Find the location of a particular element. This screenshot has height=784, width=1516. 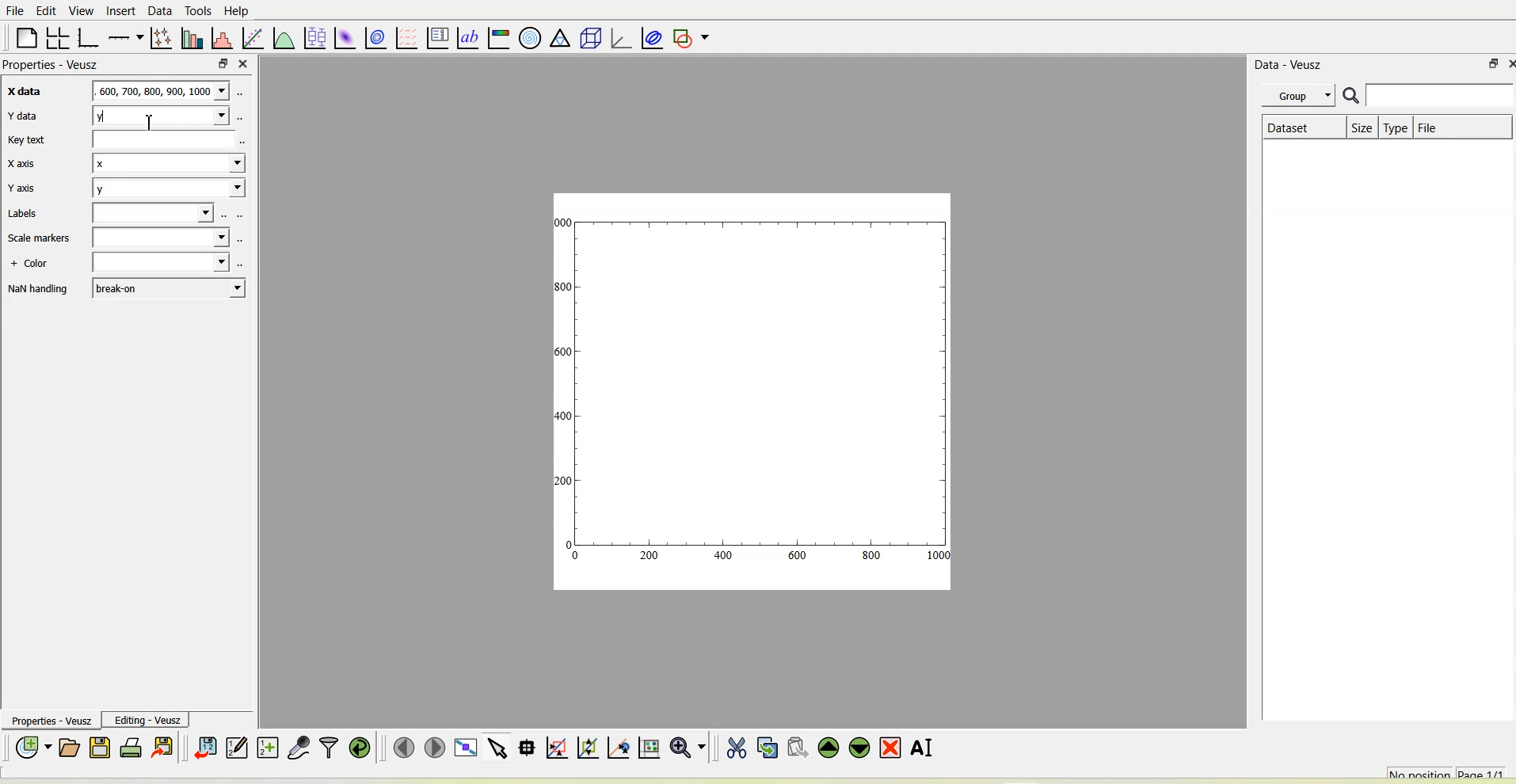

fit a function to data is located at coordinates (252, 38).